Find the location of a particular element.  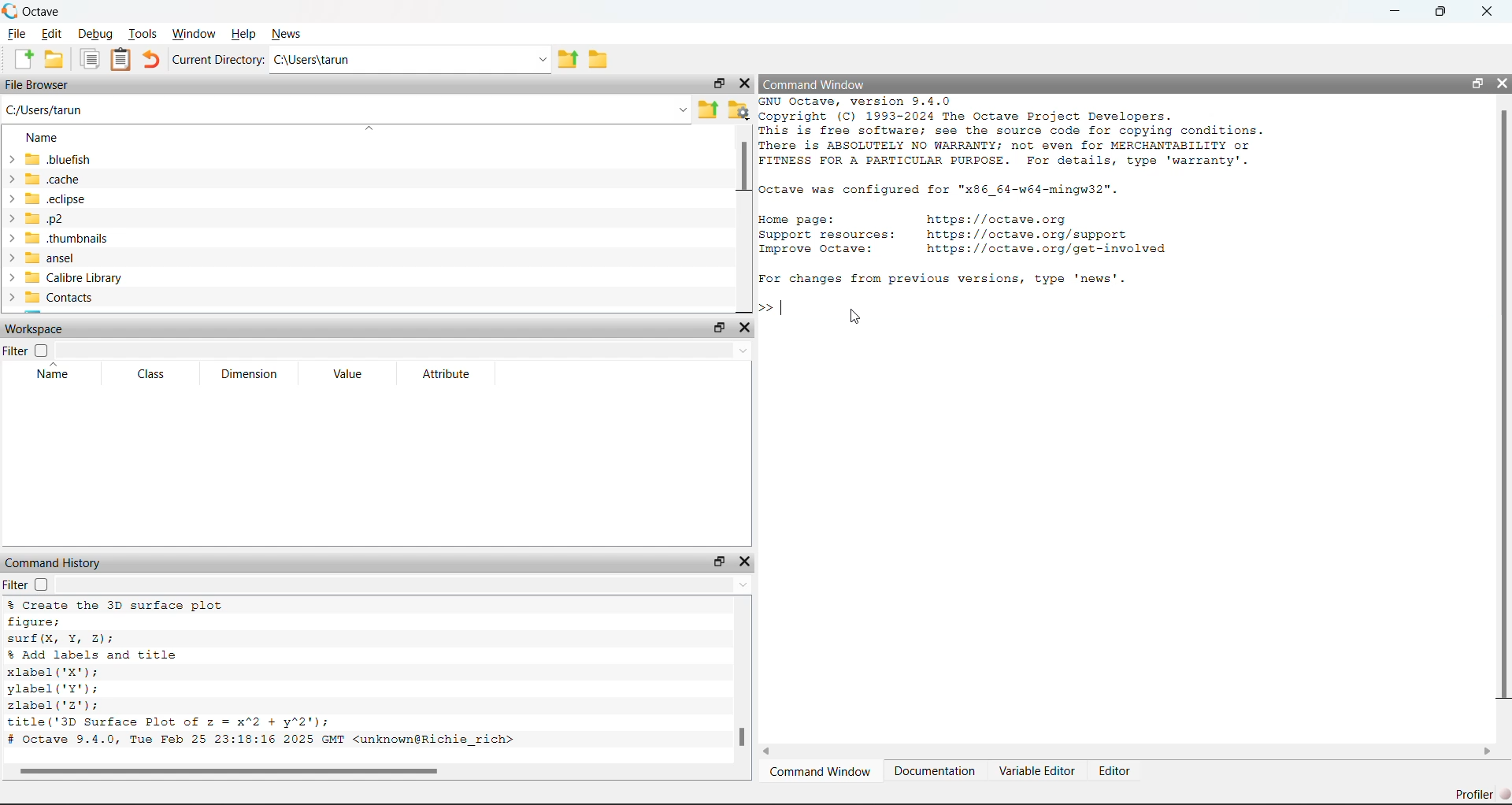

Name is located at coordinates (43, 137).